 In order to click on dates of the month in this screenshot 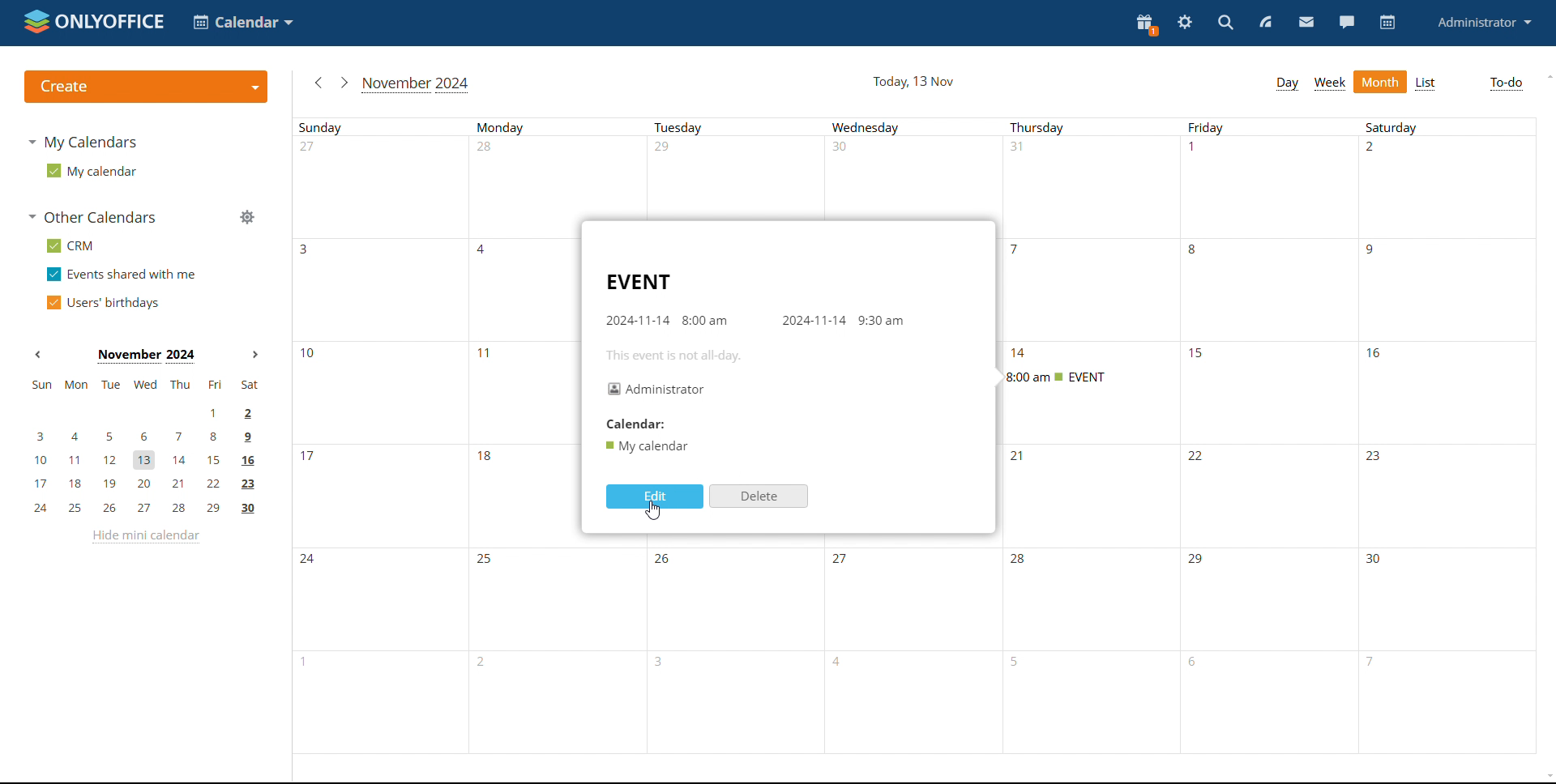, I will do `click(921, 594)`.